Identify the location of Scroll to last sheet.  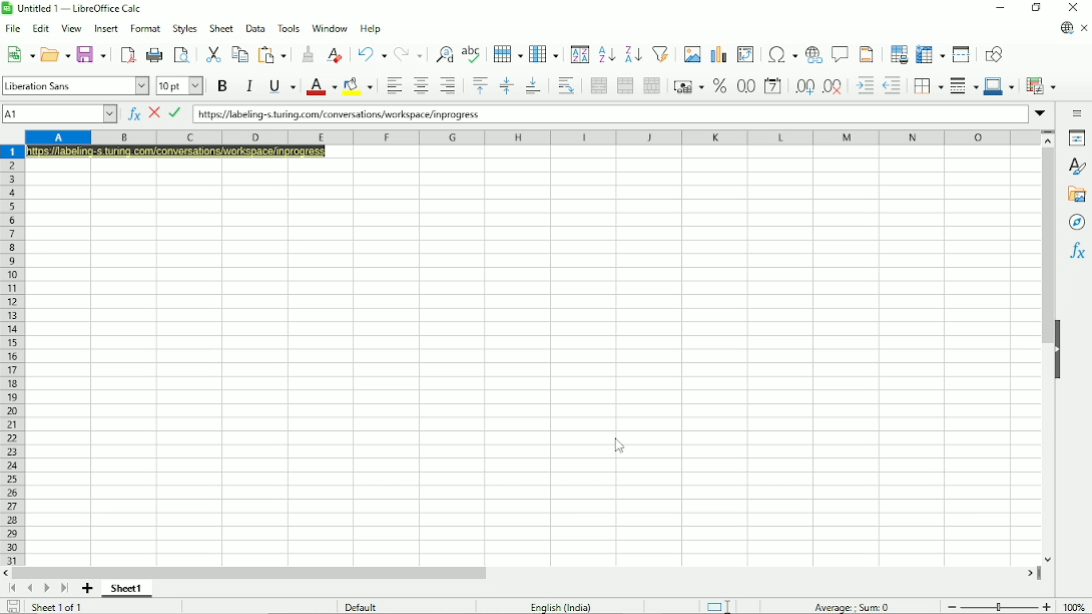
(63, 589).